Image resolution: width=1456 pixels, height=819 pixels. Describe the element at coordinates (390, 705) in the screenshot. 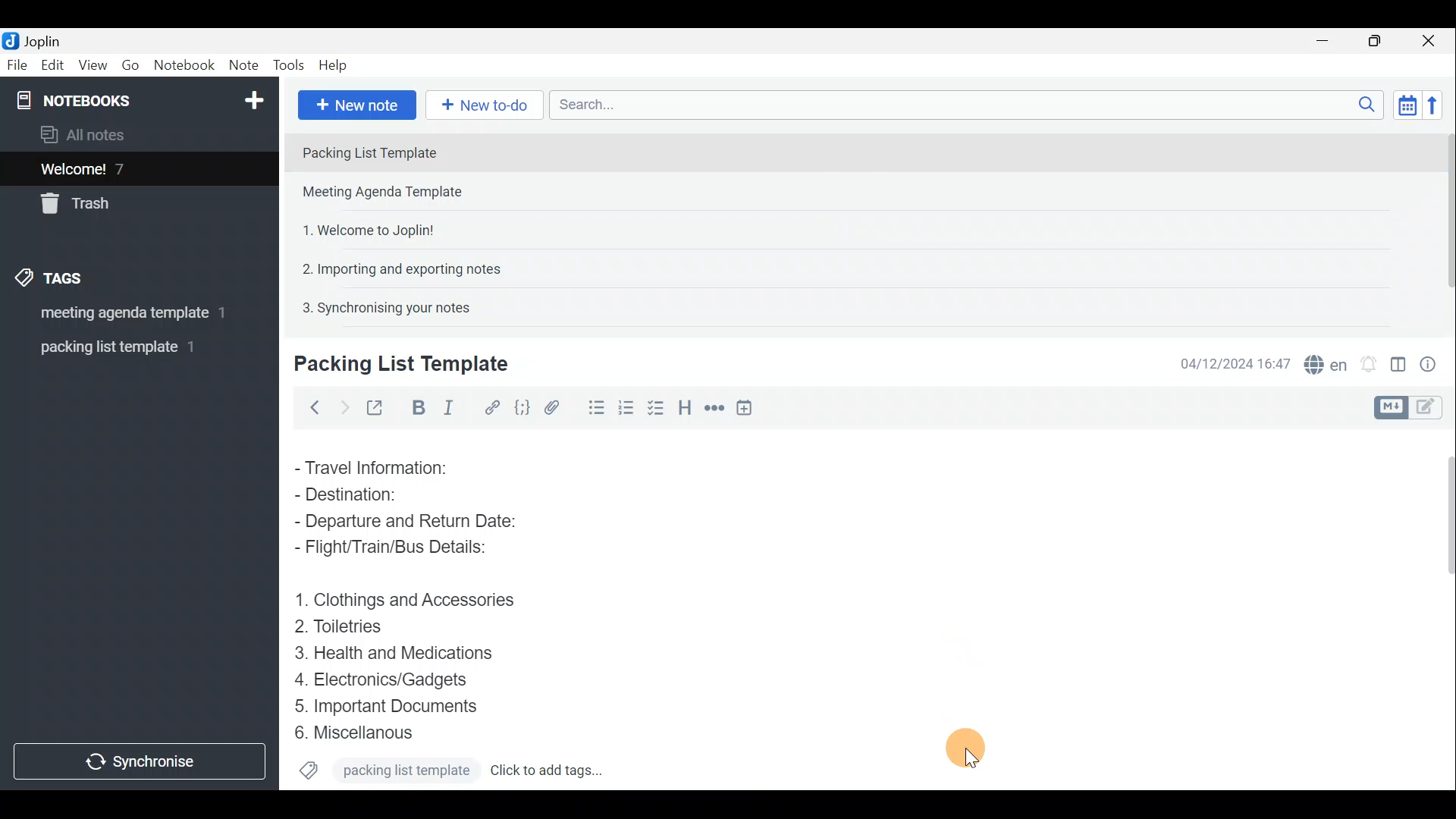

I see `Important Documents` at that location.